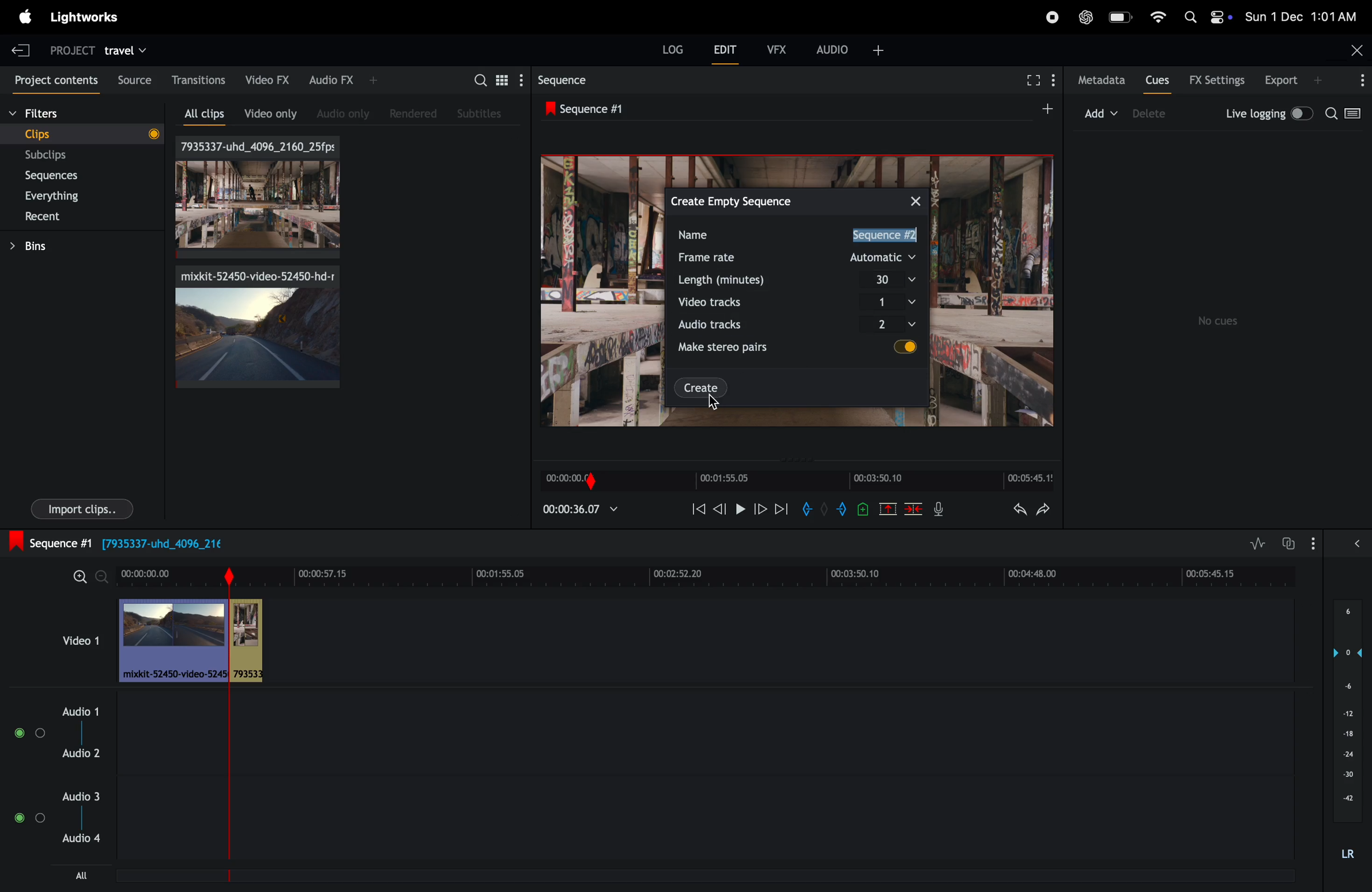 This screenshot has height=892, width=1372. I want to click on 2, so click(900, 324).